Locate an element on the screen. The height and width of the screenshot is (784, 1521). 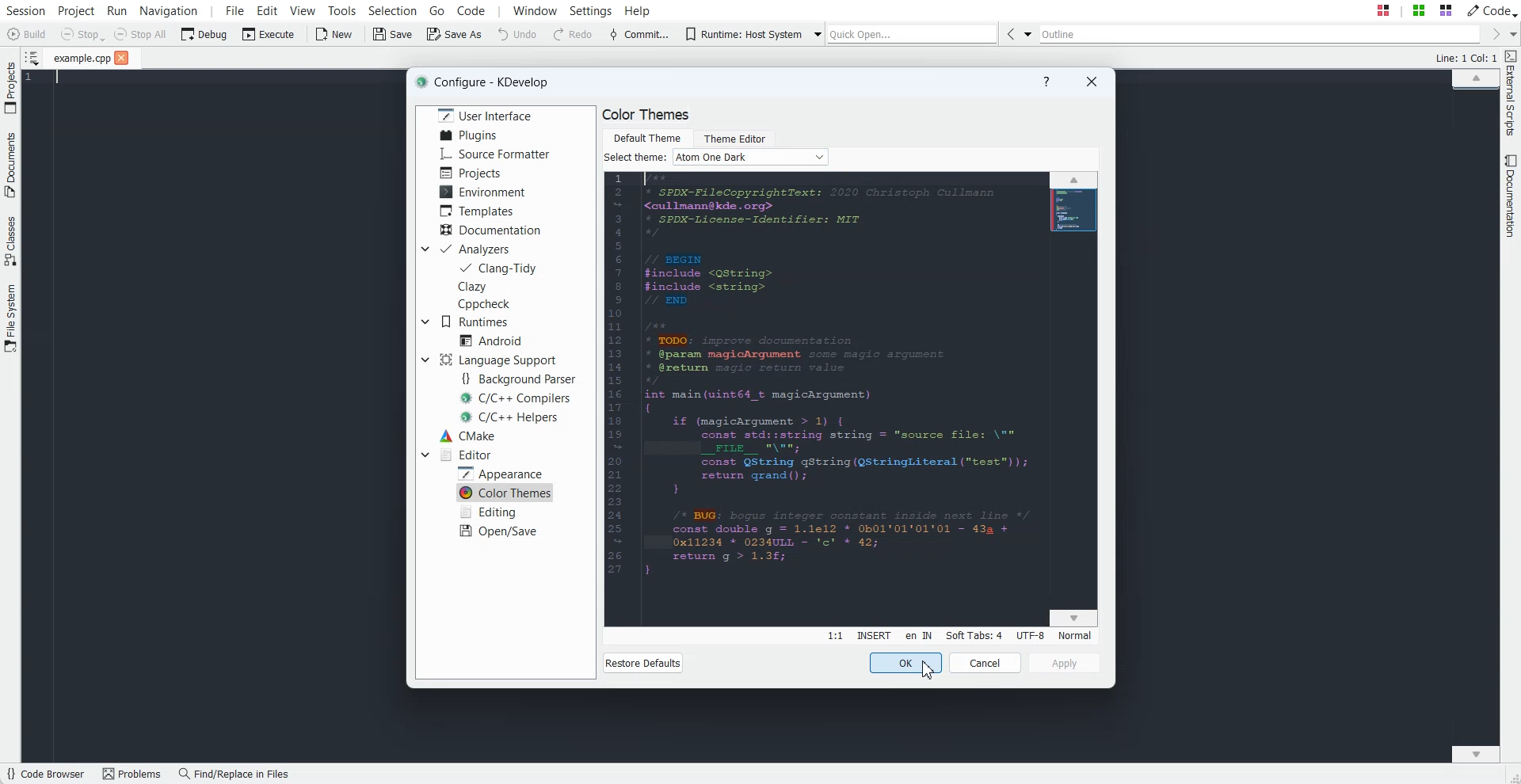
Build is located at coordinates (25, 34).